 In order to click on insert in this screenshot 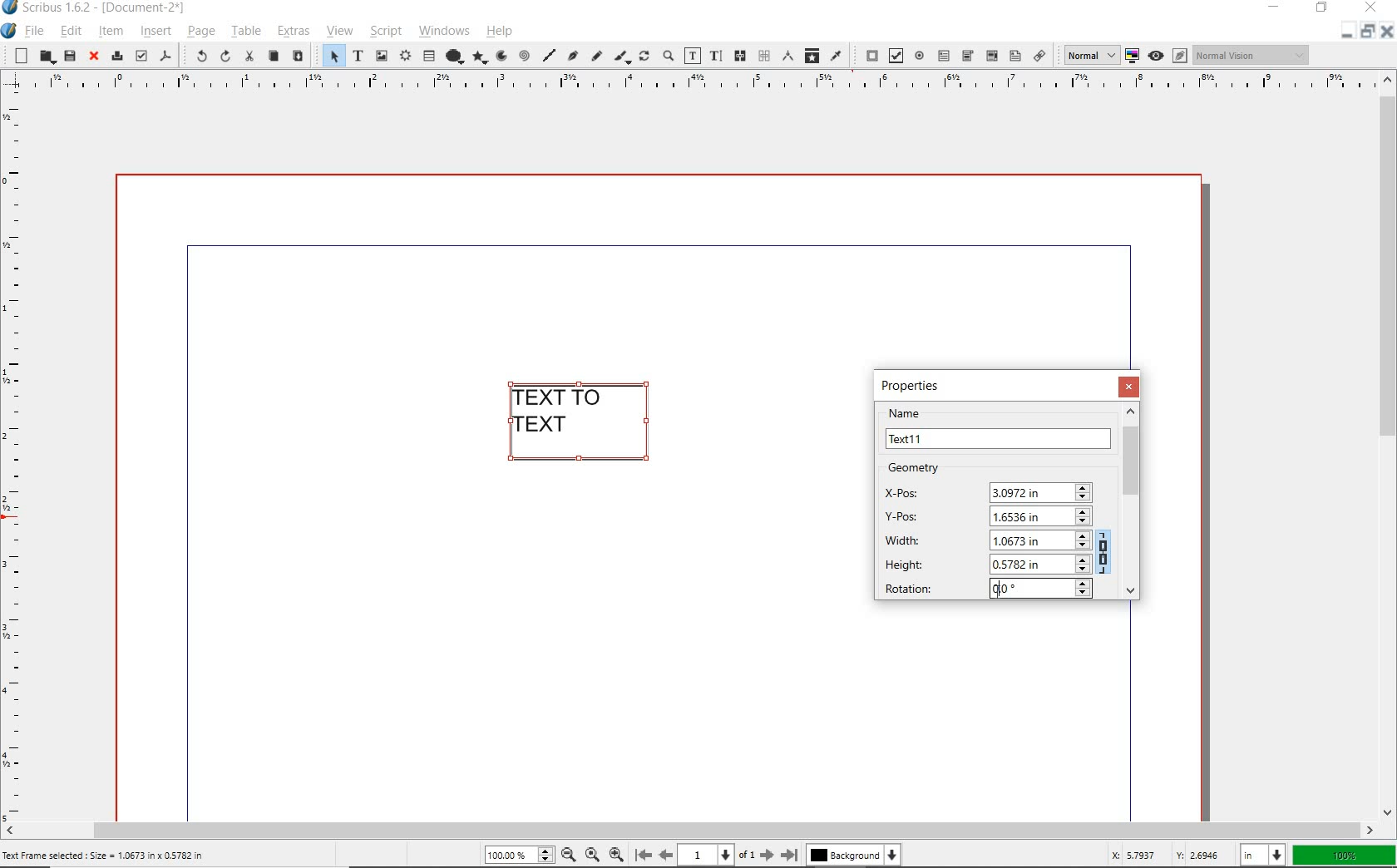, I will do `click(155, 31)`.